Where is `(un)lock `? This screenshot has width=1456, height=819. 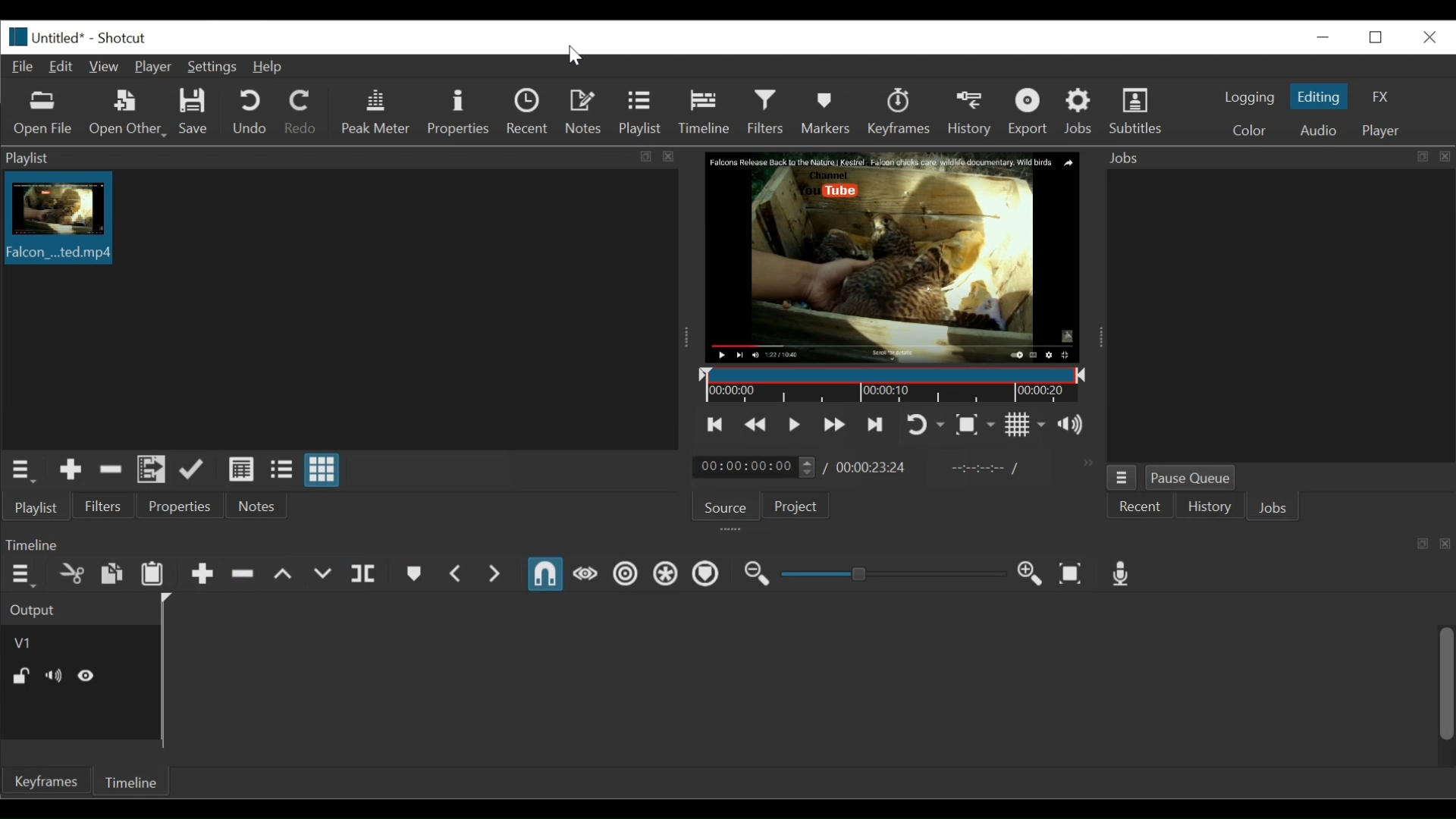
(un)lock  is located at coordinates (21, 676).